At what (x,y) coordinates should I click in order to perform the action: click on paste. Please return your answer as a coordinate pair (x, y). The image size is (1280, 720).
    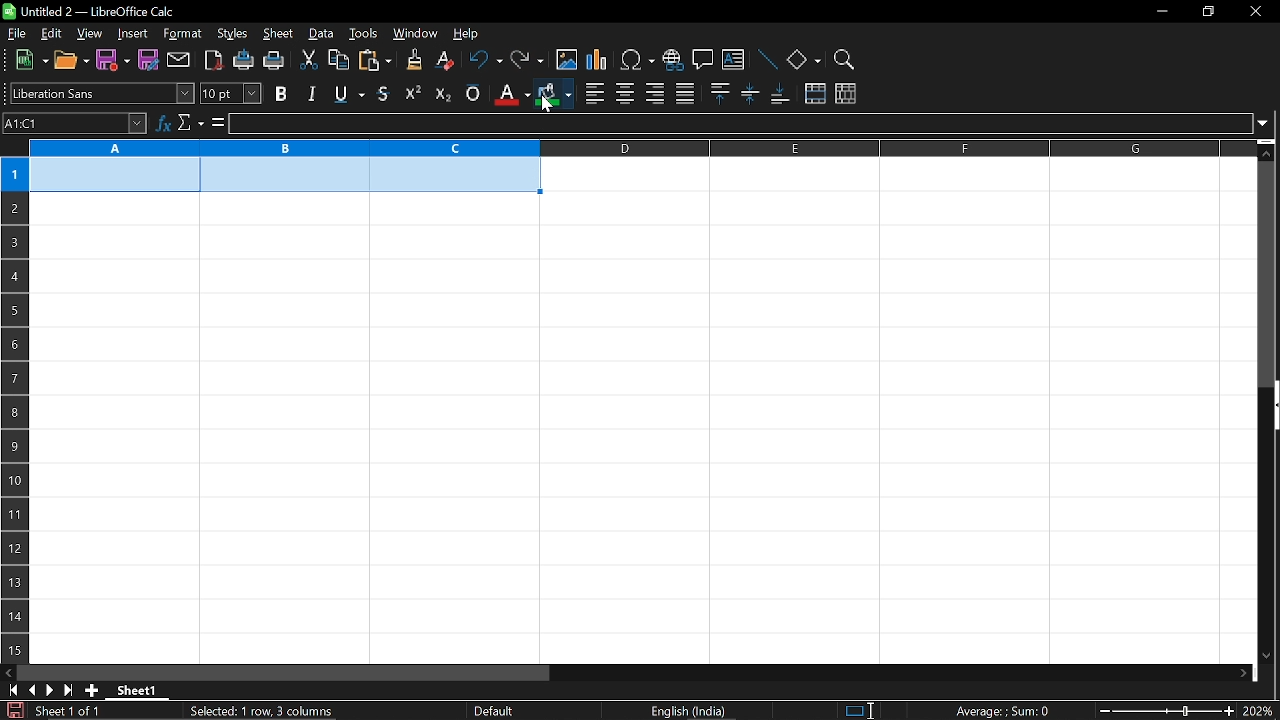
    Looking at the image, I should click on (374, 61).